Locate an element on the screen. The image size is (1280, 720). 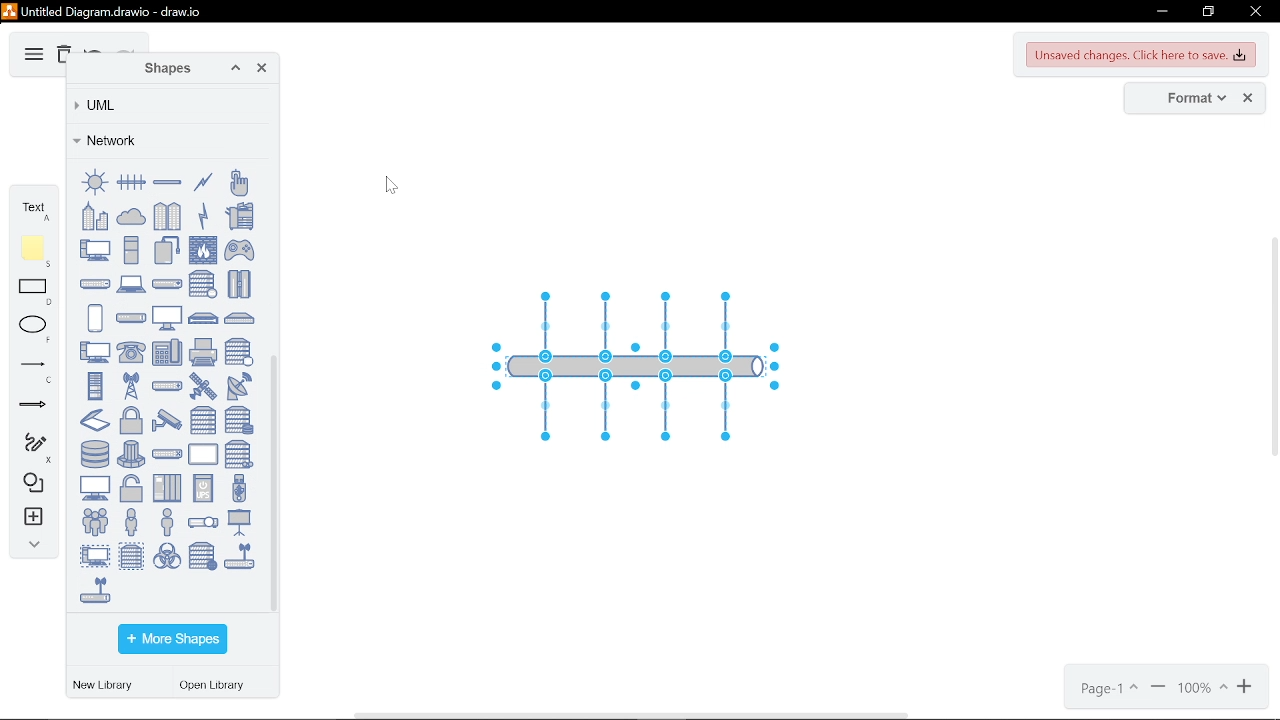
PC is located at coordinates (95, 249).